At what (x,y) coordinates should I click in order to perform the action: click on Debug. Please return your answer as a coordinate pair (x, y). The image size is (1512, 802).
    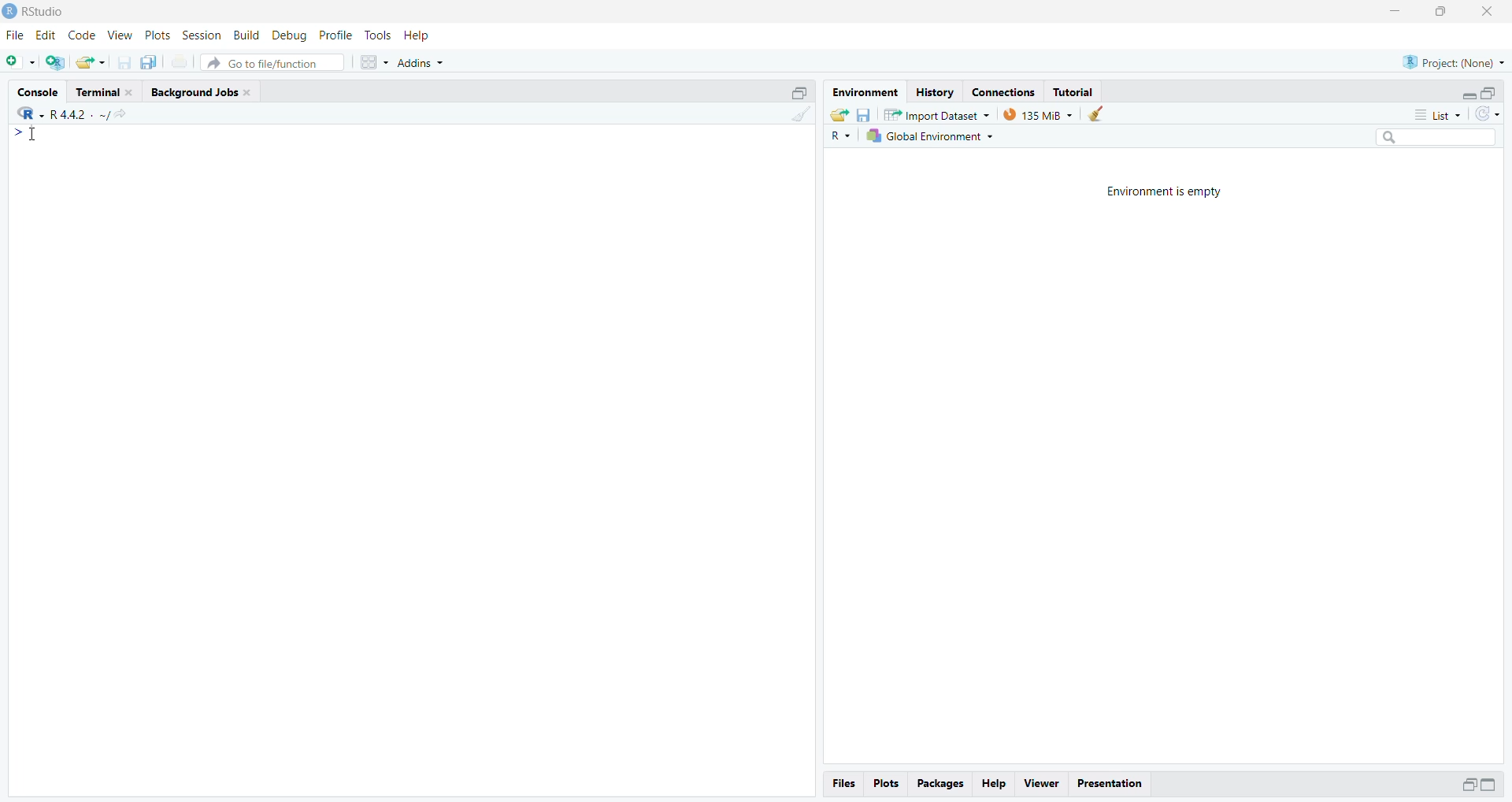
    Looking at the image, I should click on (289, 35).